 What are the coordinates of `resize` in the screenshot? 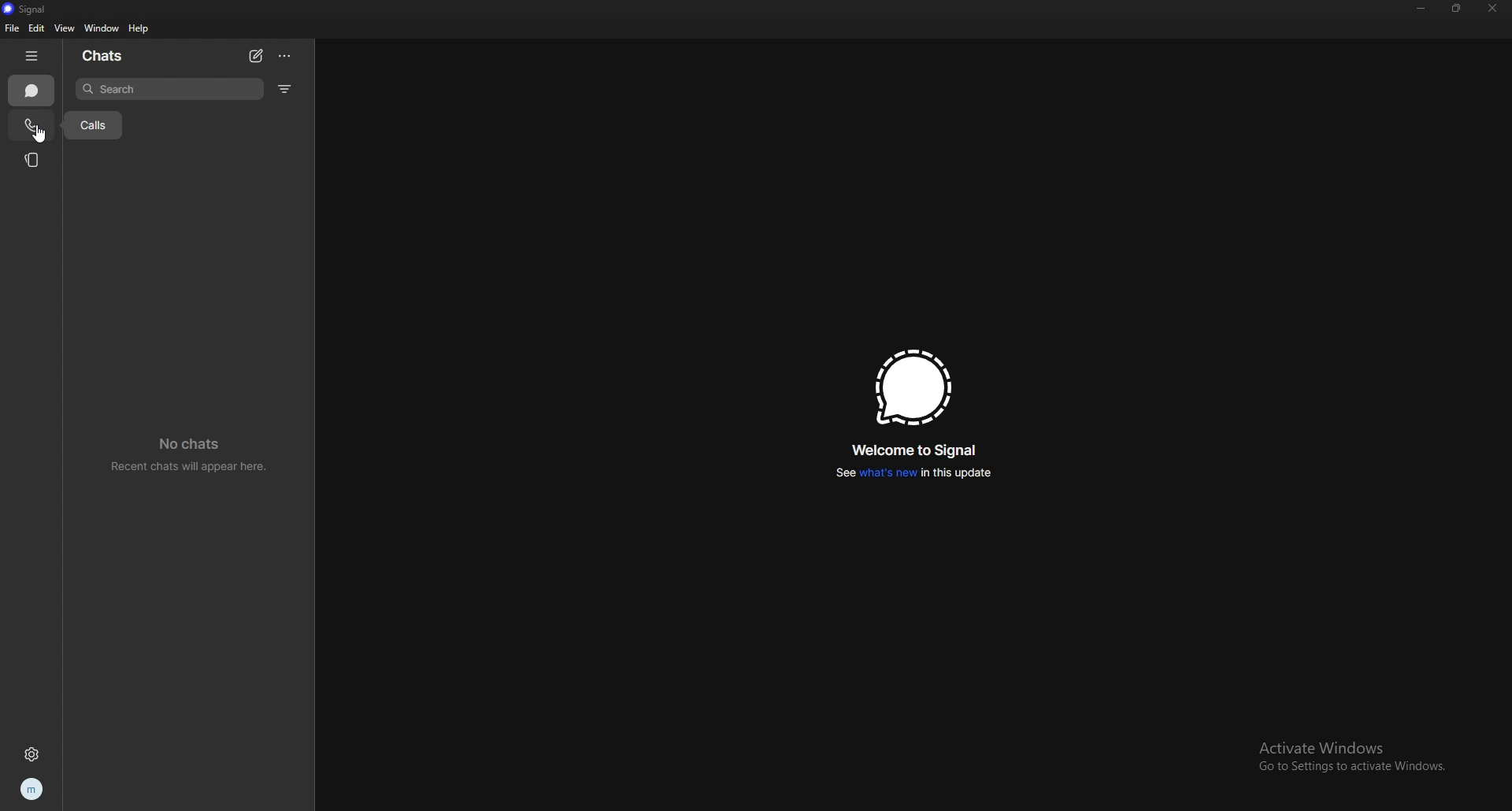 It's located at (1458, 8).